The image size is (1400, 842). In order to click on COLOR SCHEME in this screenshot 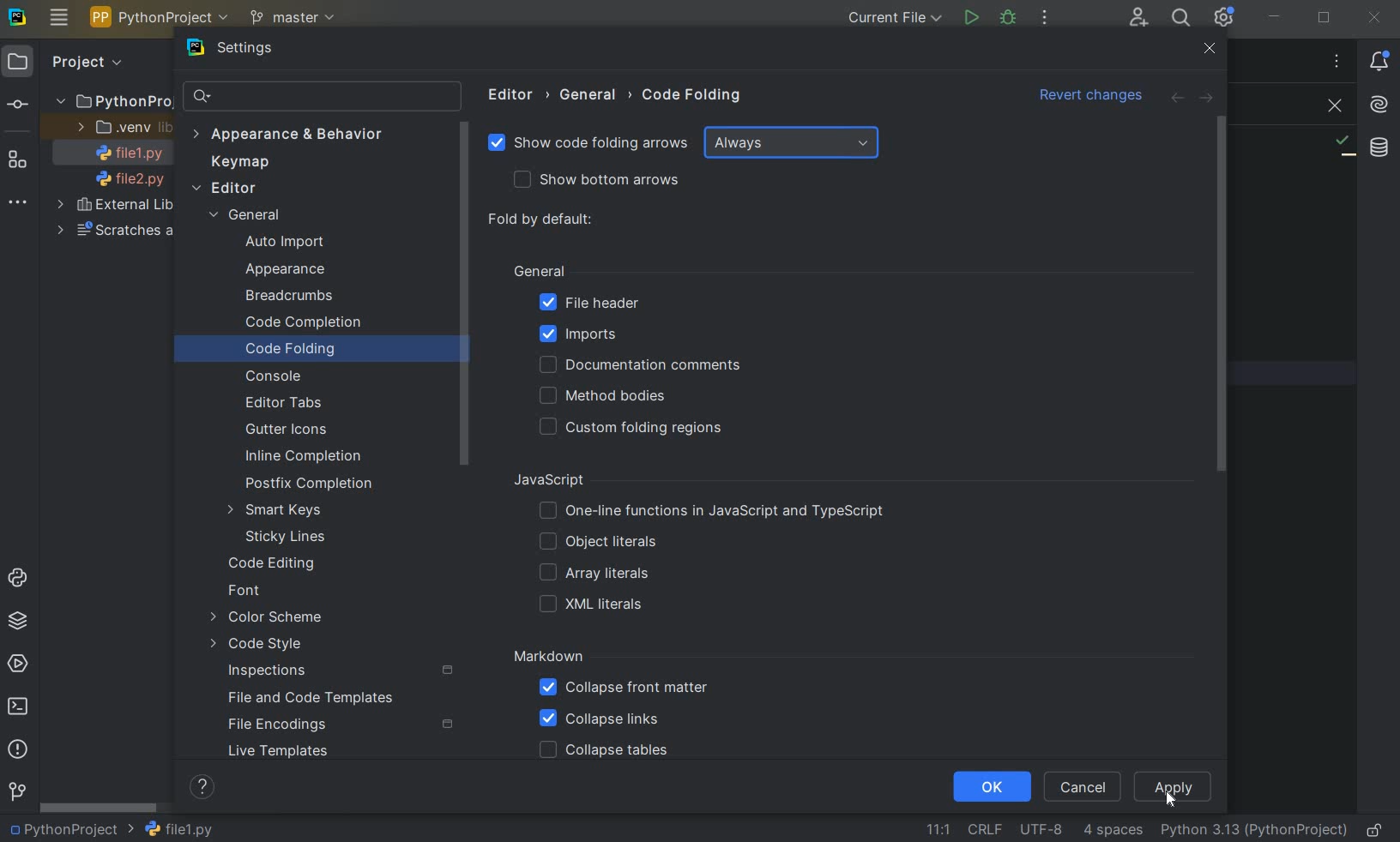, I will do `click(269, 618)`.